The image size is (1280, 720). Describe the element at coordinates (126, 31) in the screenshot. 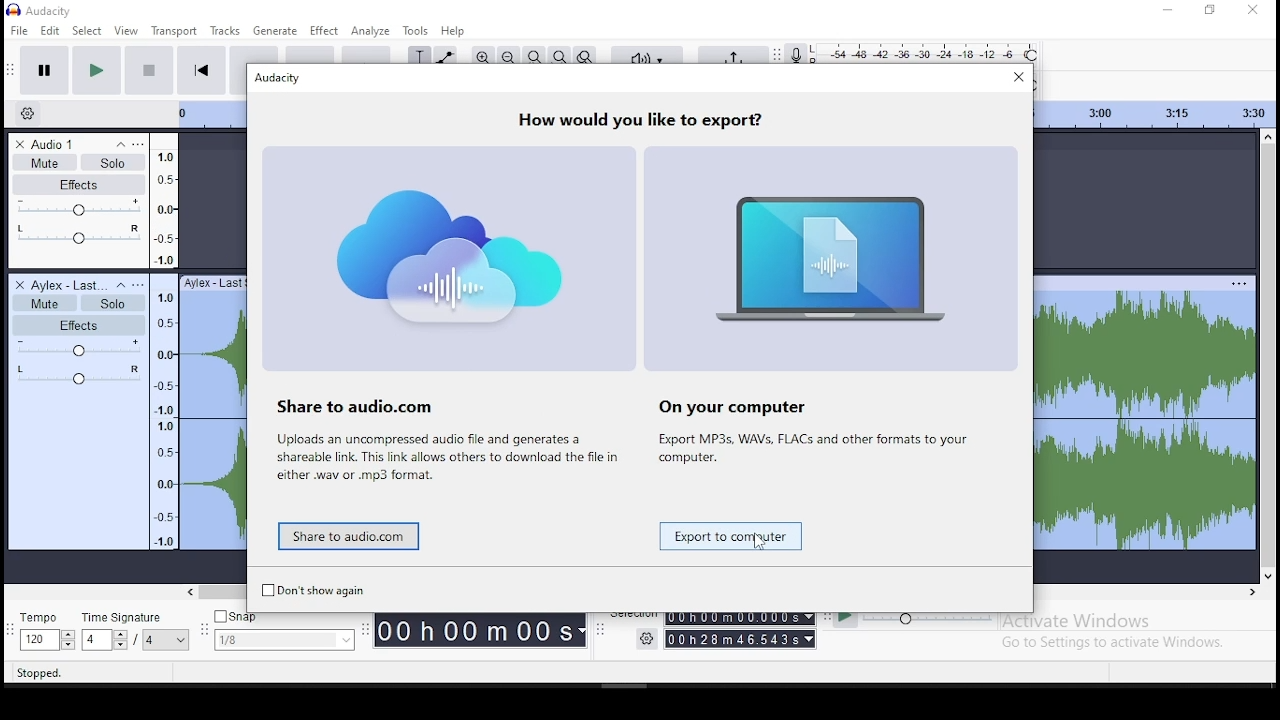

I see `view` at that location.